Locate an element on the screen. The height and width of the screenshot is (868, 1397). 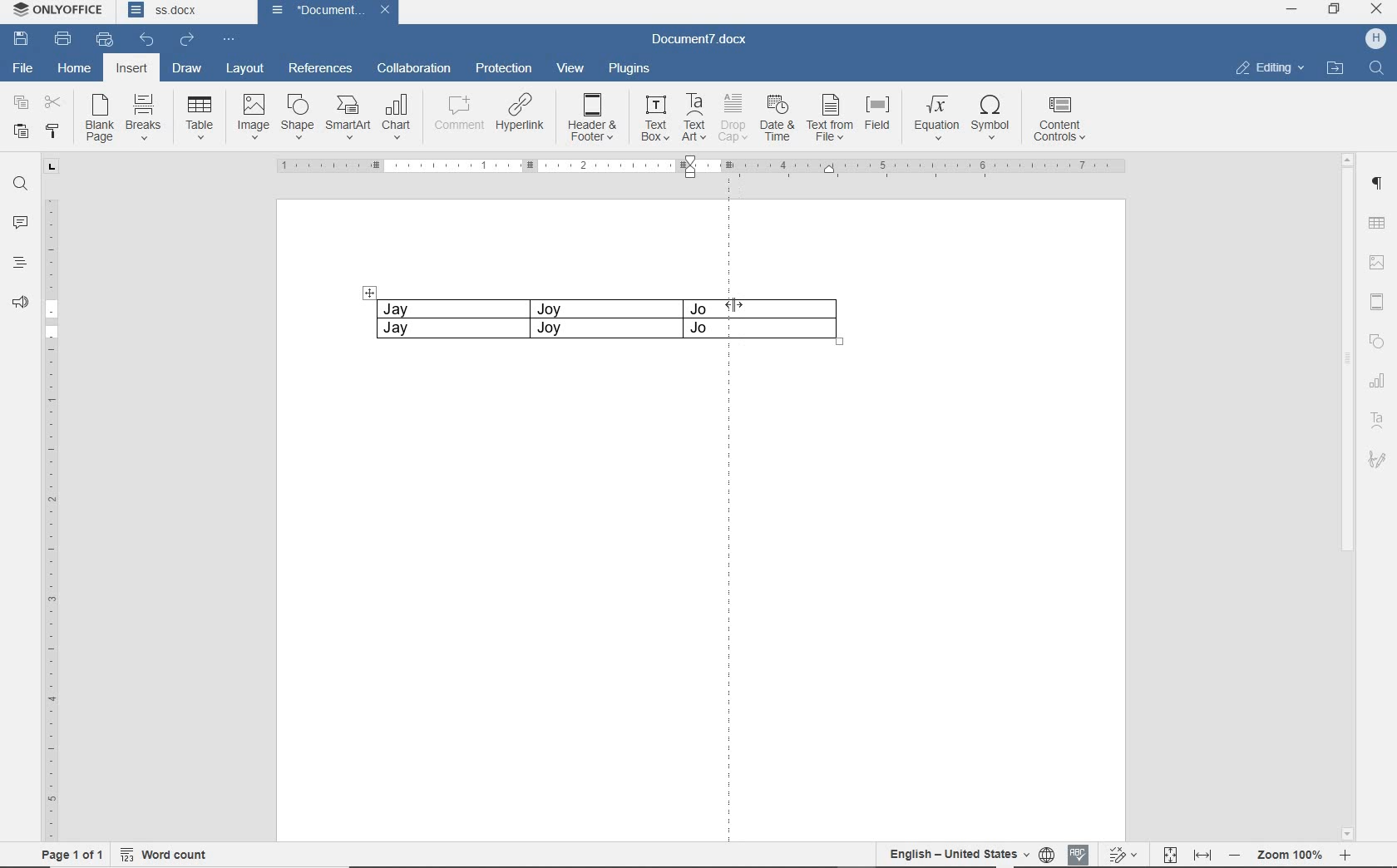
TABLE is located at coordinates (1377, 221).